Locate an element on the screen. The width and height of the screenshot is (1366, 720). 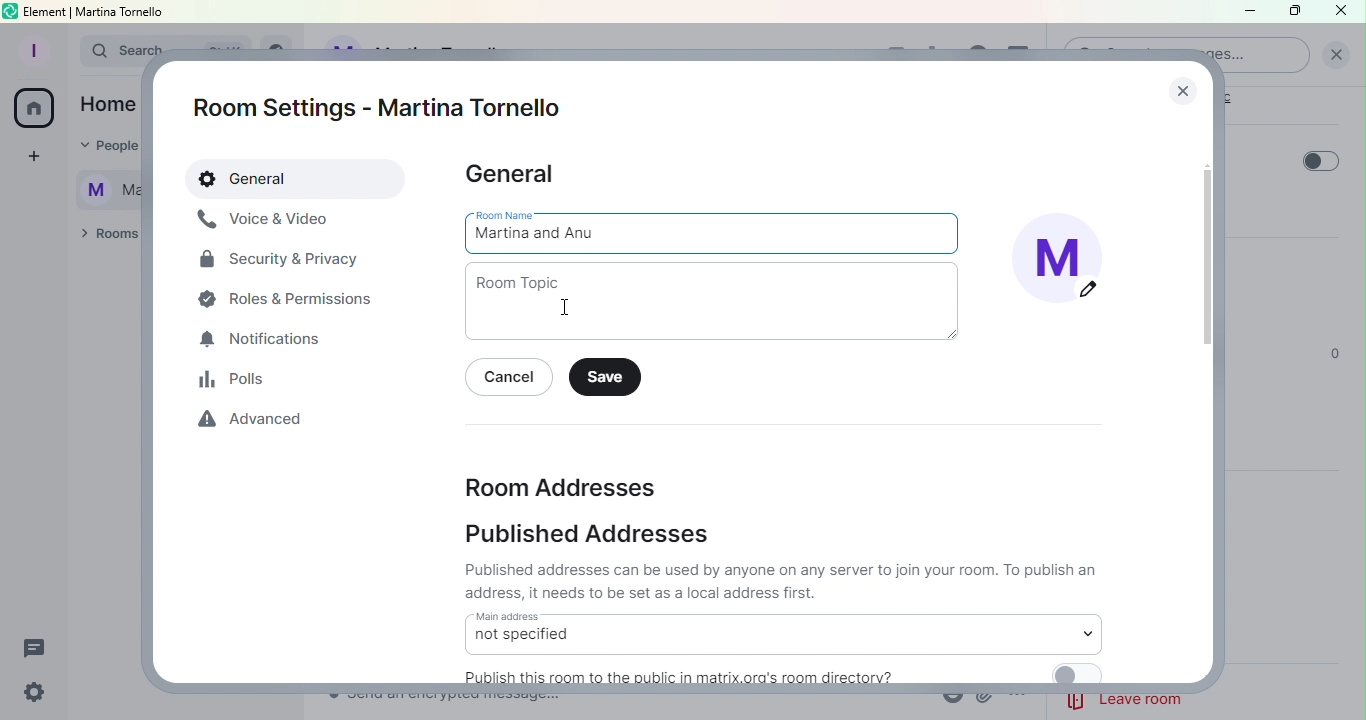
Advanced is located at coordinates (256, 423).